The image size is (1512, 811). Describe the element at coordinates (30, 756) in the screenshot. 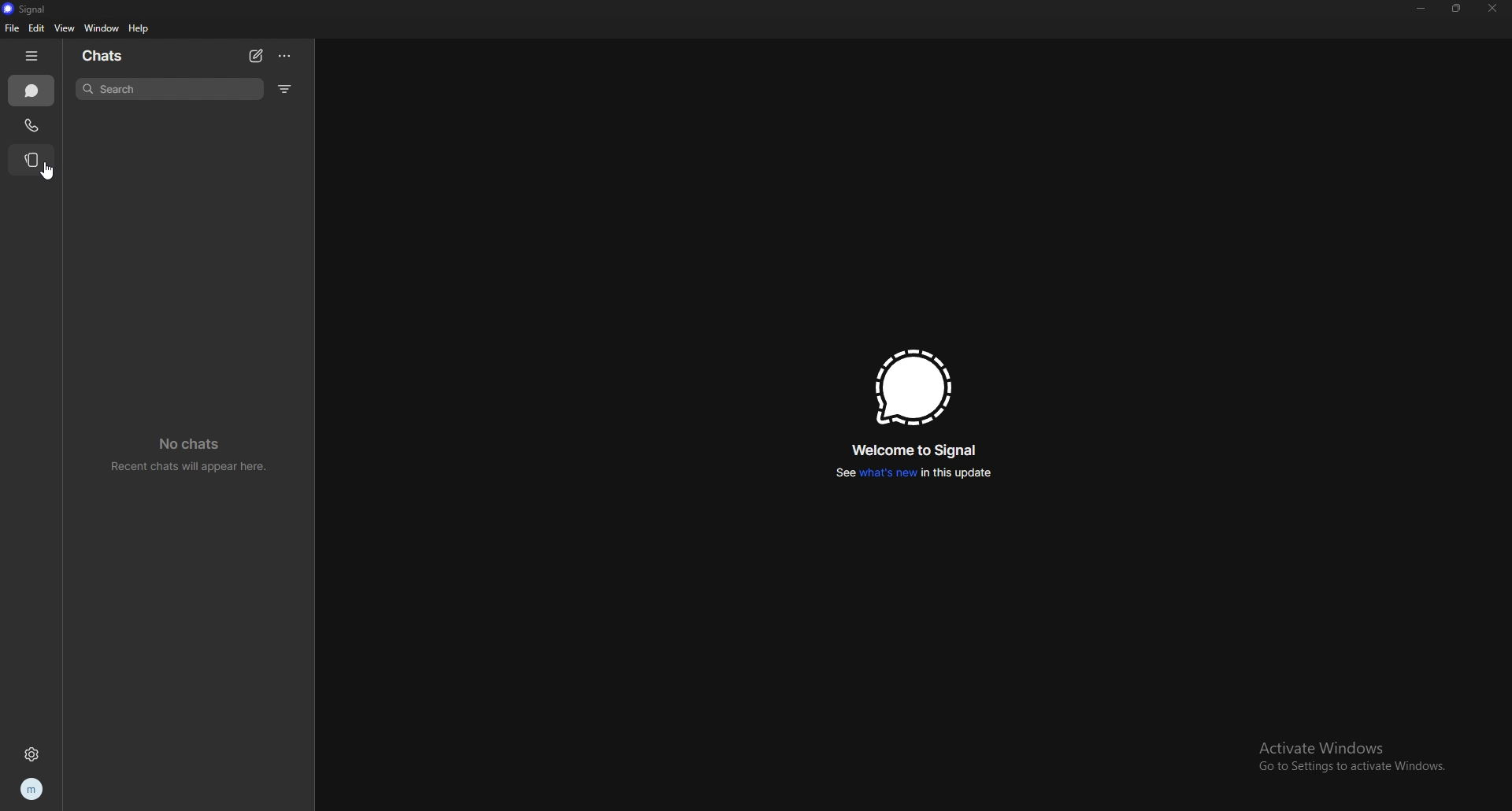

I see `settings` at that location.